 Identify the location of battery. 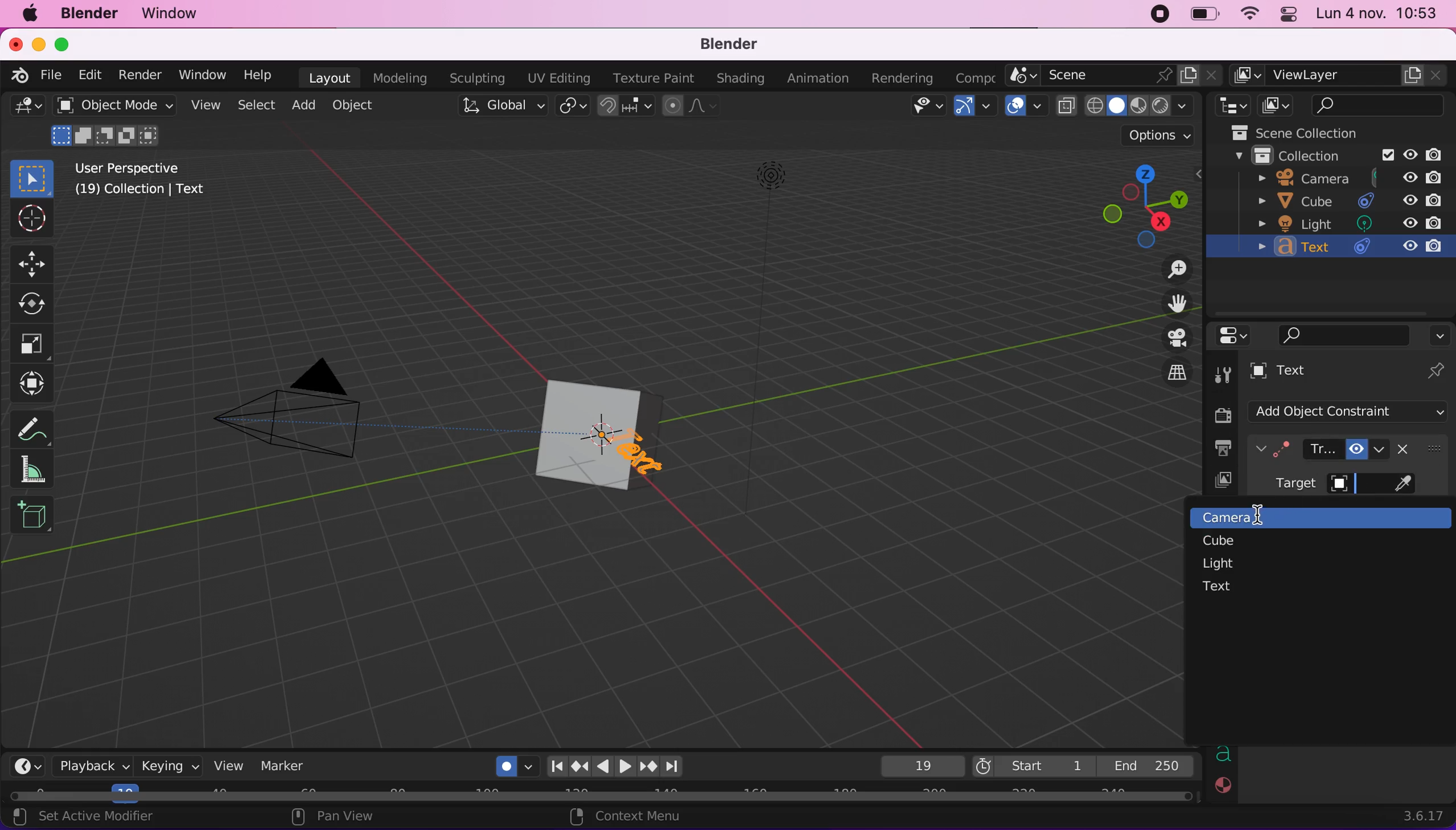
(1203, 15).